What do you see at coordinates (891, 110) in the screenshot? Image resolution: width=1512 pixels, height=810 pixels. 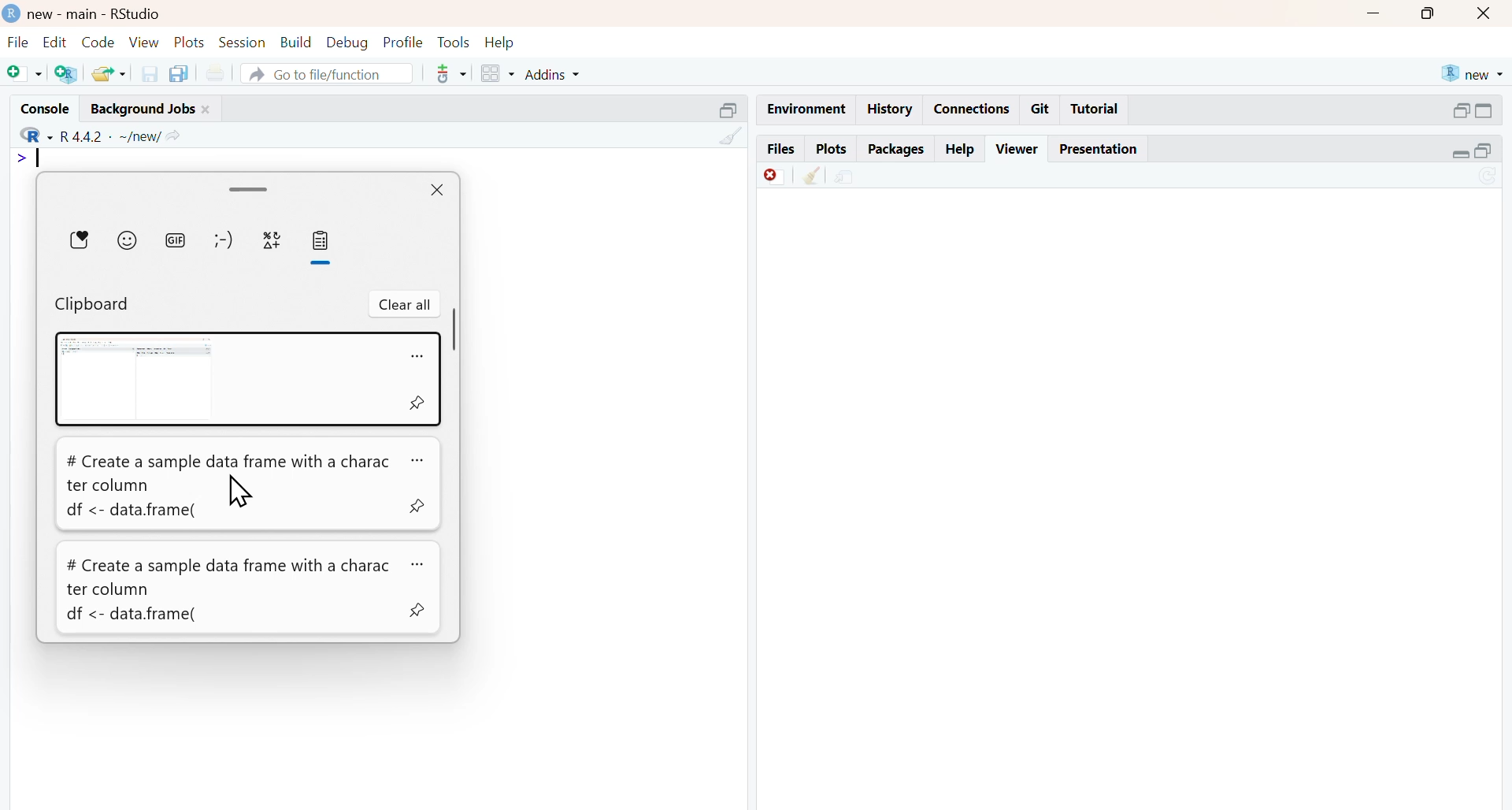 I see `history` at bounding box center [891, 110].